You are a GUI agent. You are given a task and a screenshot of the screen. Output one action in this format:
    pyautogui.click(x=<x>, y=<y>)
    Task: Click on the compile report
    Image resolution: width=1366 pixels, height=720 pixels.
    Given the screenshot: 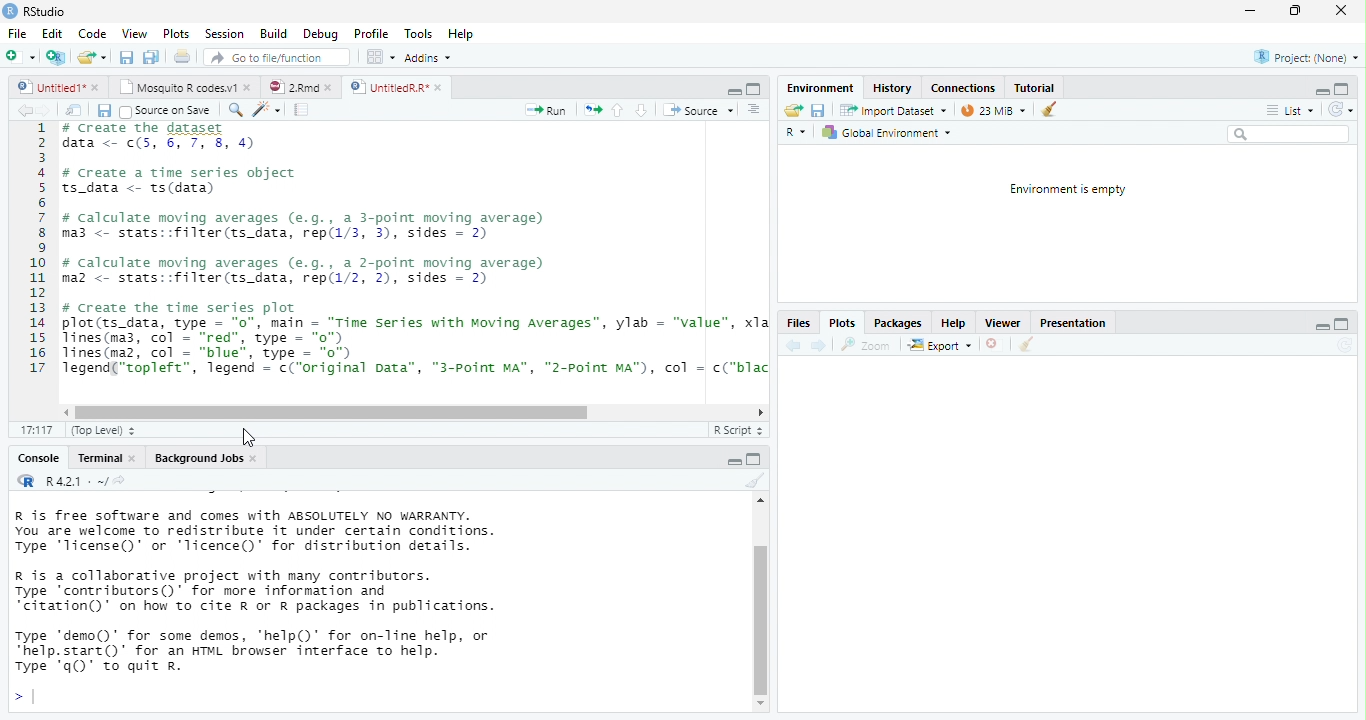 What is the action you would take?
    pyautogui.click(x=303, y=109)
    